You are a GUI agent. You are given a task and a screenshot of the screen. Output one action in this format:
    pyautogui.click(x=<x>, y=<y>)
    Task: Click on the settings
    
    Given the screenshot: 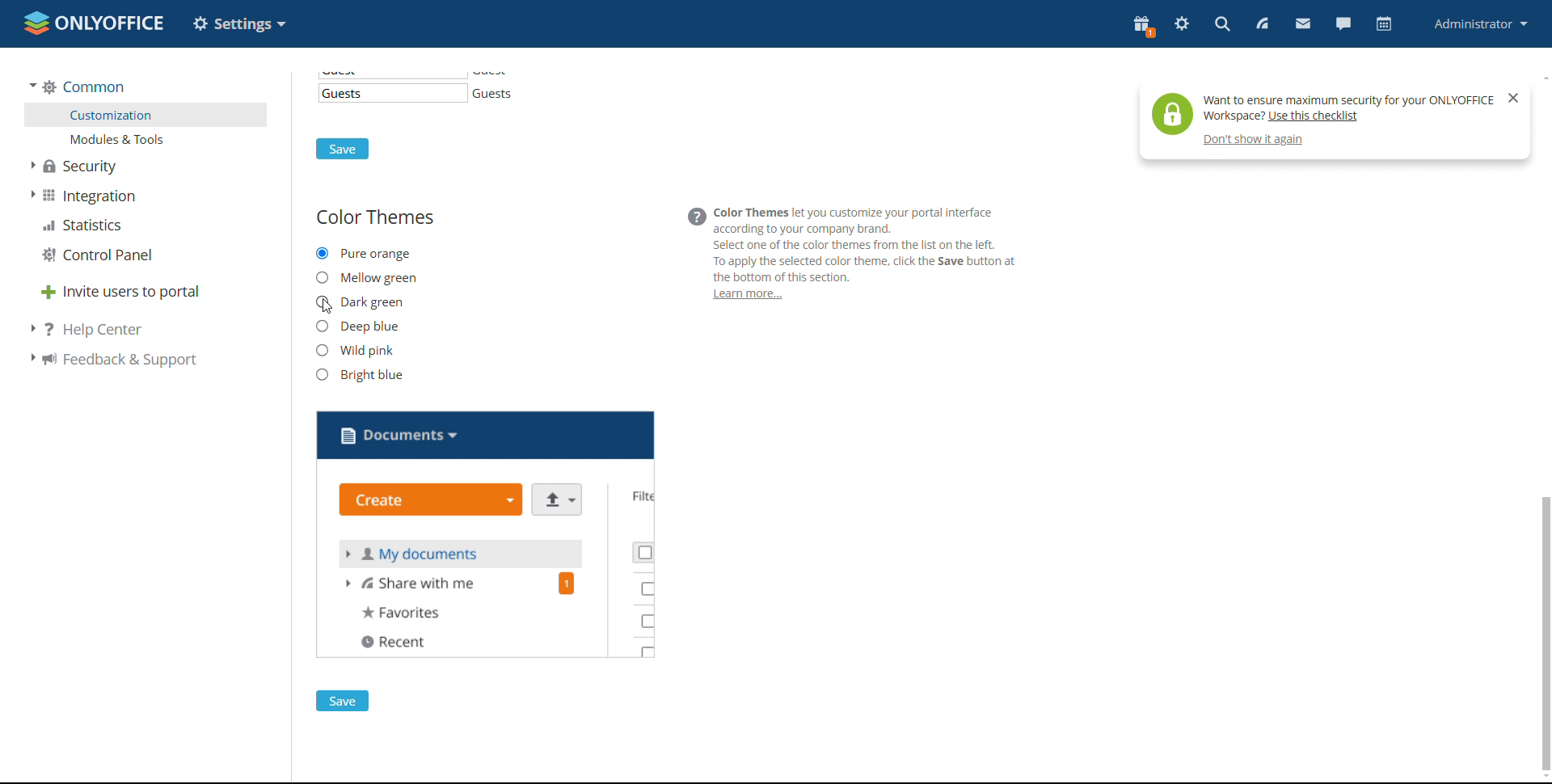 What is the action you would take?
    pyautogui.click(x=1181, y=24)
    